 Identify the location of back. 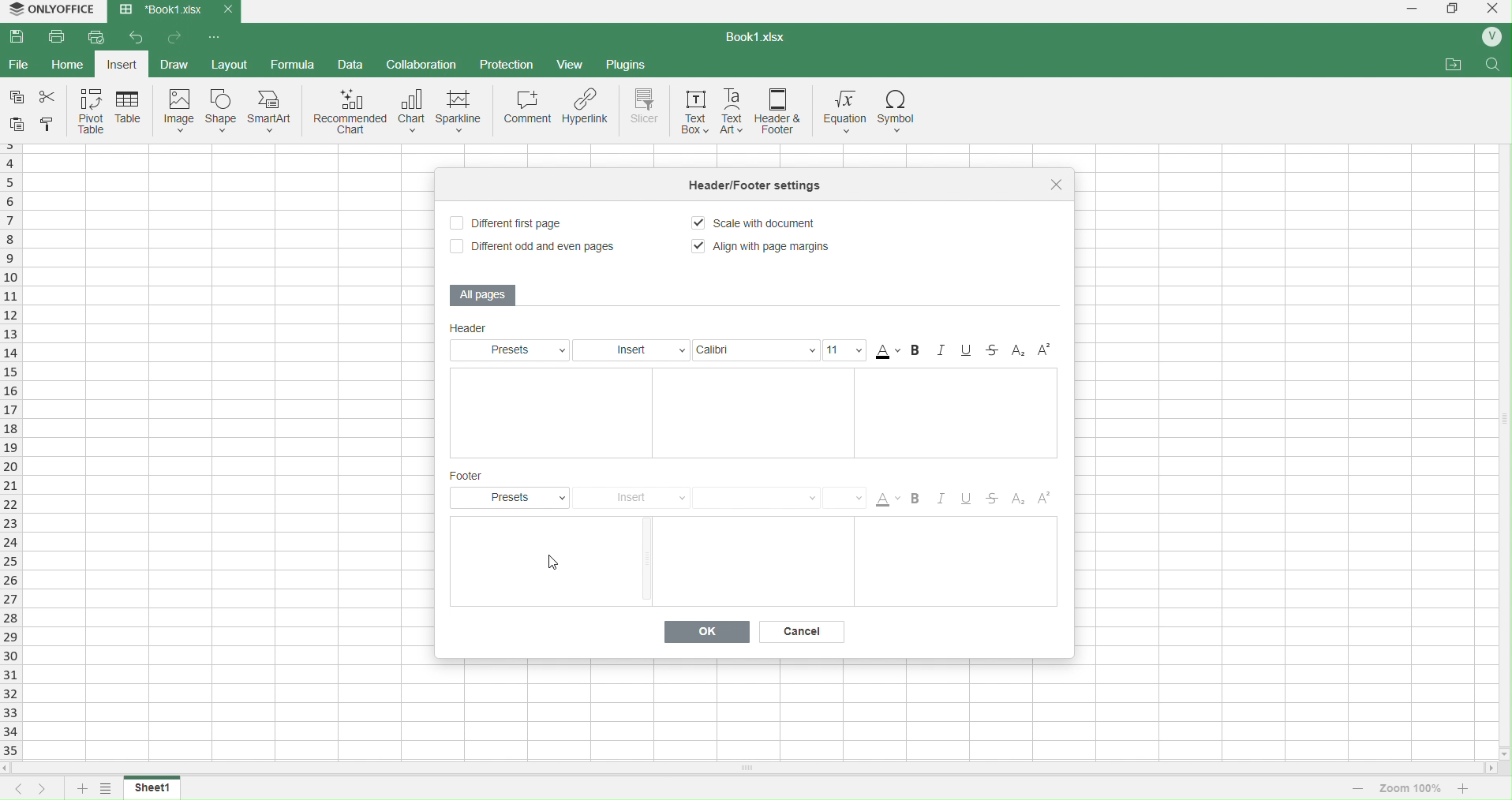
(137, 36).